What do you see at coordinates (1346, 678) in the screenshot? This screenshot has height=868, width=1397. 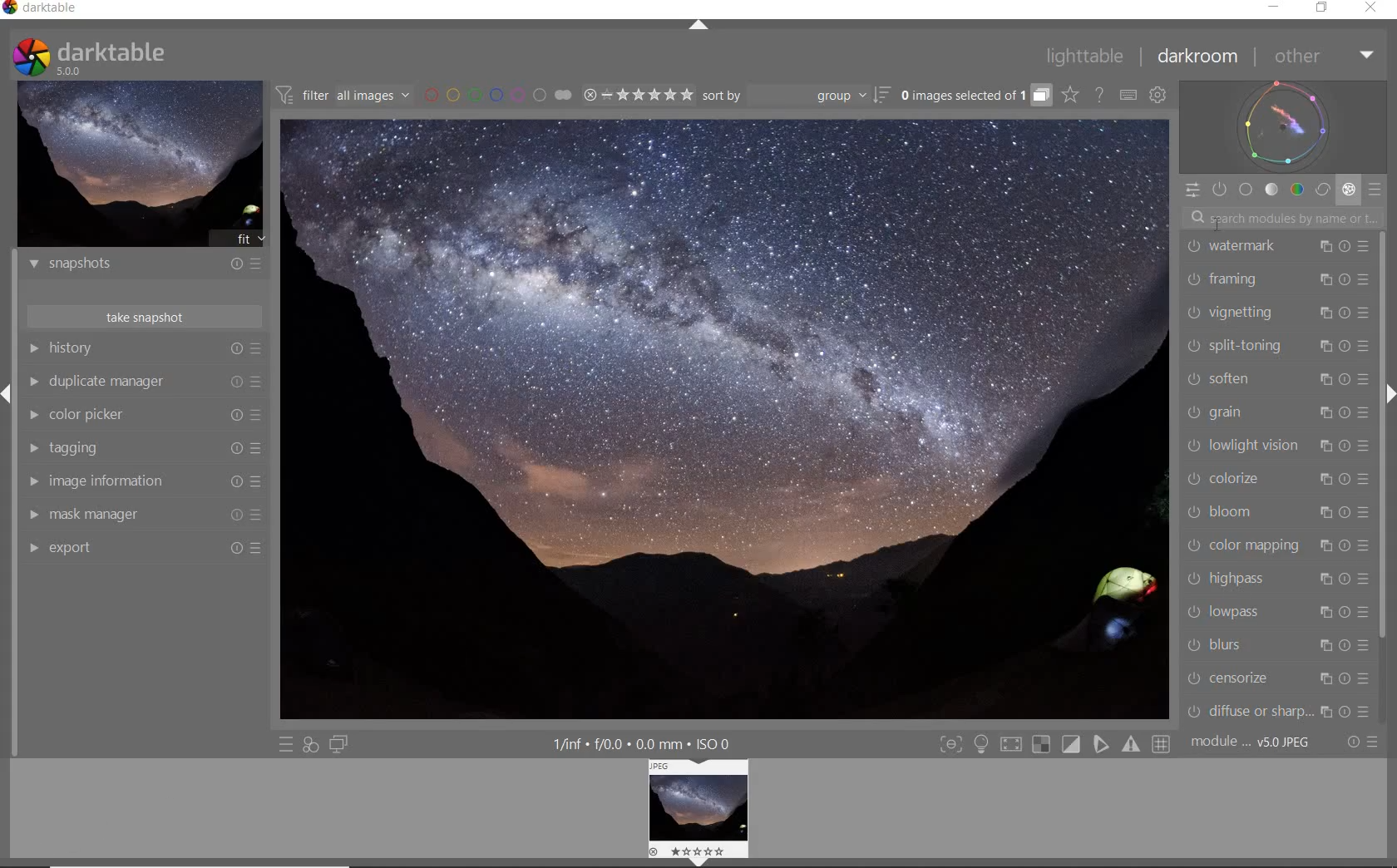 I see `reset parameters` at bounding box center [1346, 678].